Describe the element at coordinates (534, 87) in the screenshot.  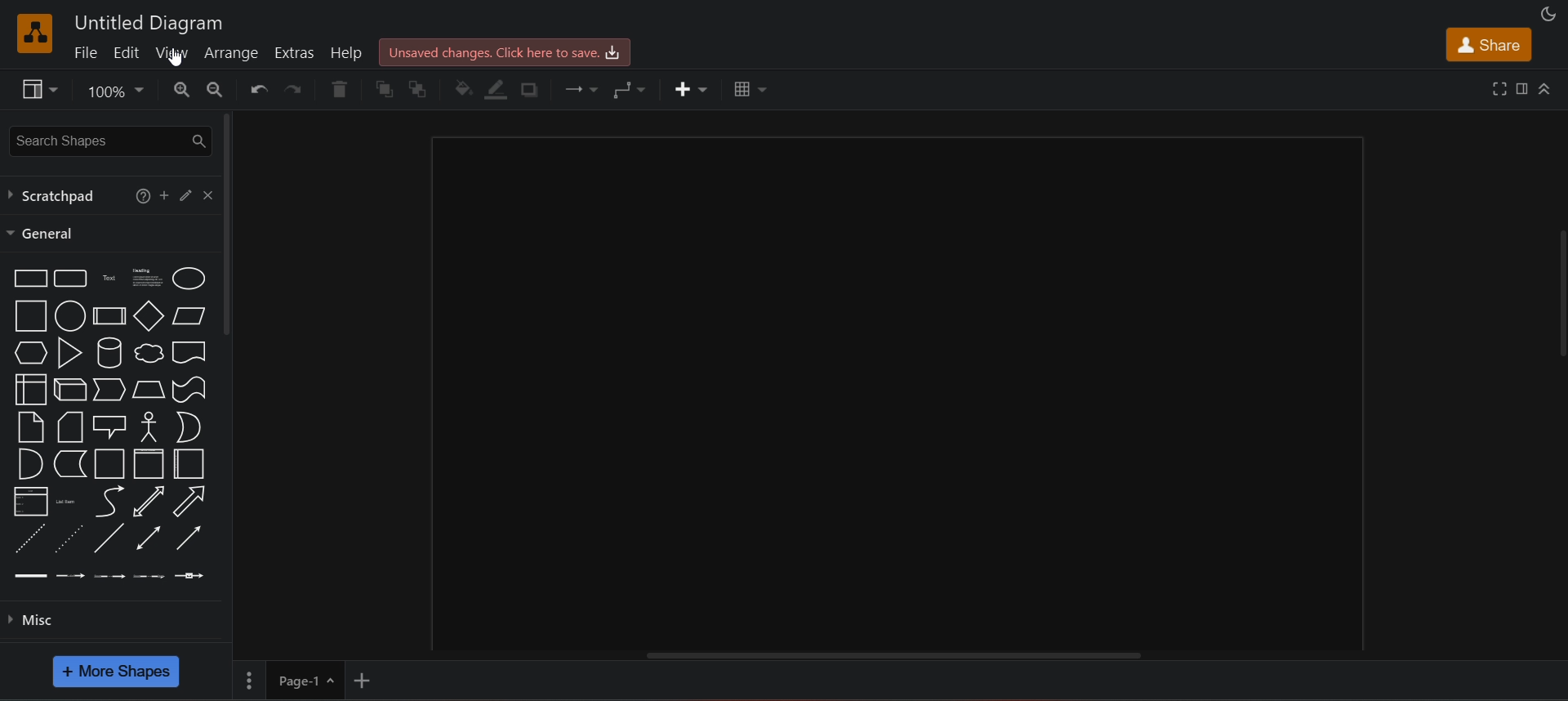
I see `shadows` at that location.